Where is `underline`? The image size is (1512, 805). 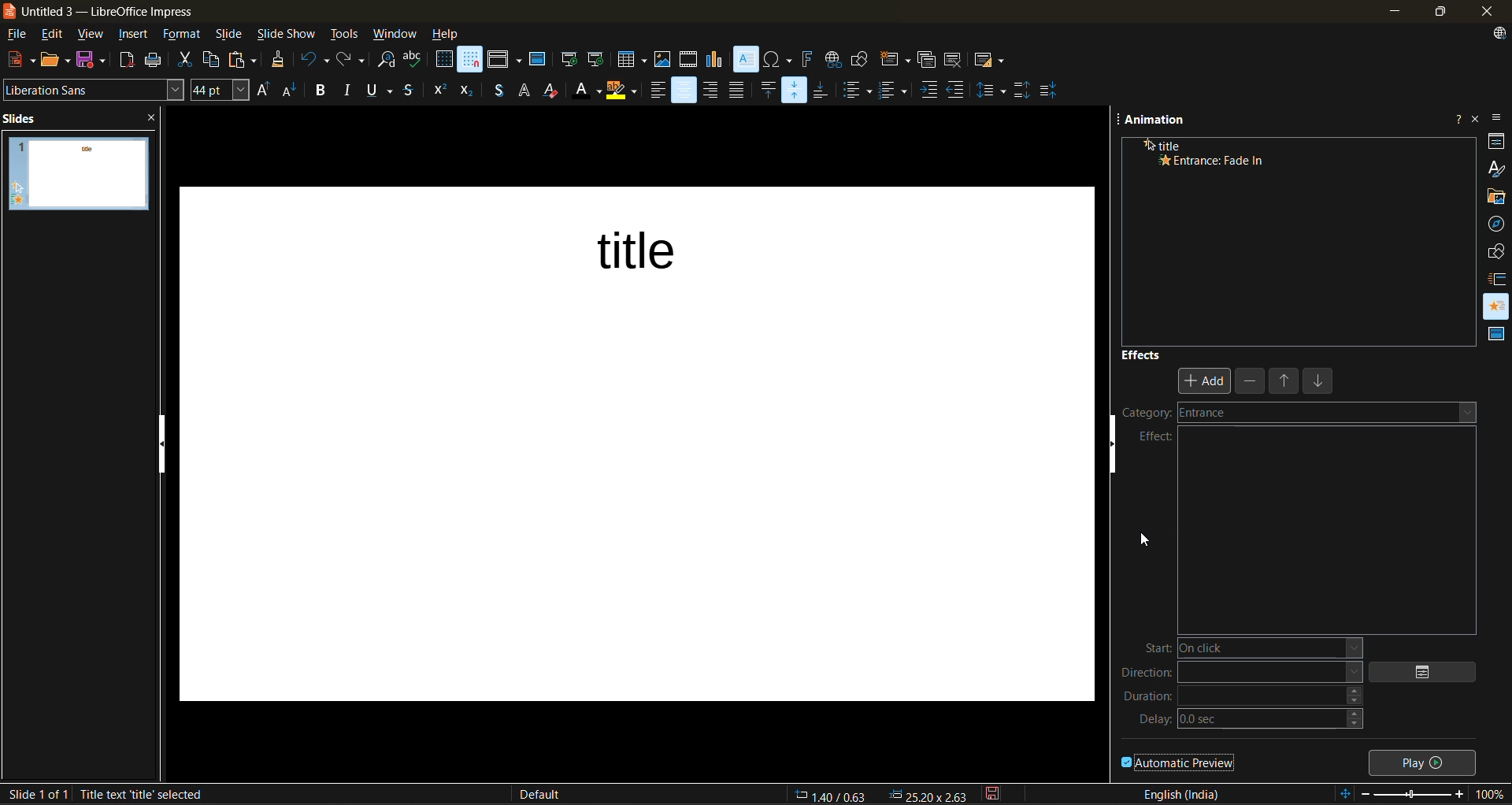
underline is located at coordinates (383, 91).